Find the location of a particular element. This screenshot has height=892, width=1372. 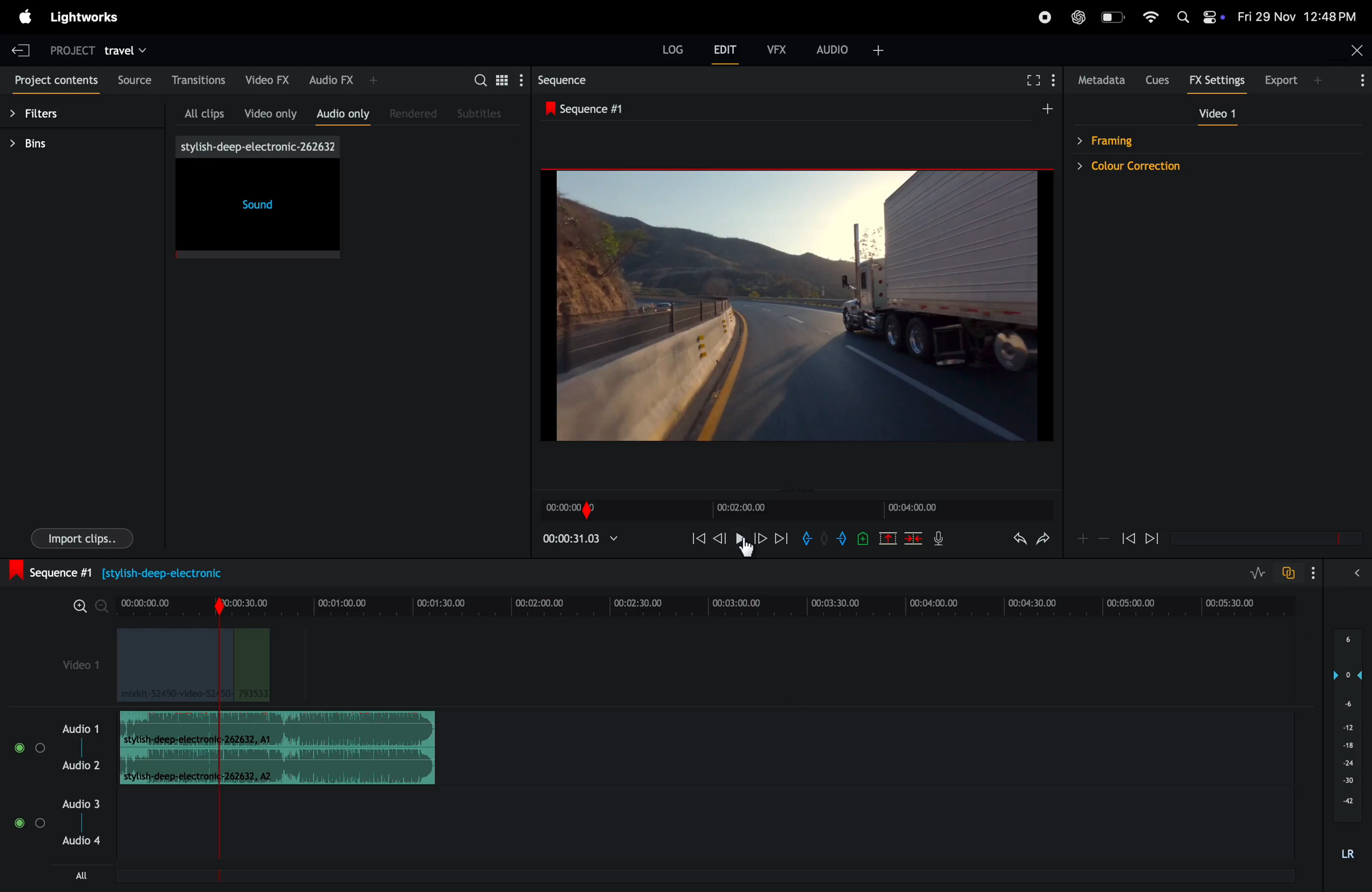

sound effect is located at coordinates (260, 198).